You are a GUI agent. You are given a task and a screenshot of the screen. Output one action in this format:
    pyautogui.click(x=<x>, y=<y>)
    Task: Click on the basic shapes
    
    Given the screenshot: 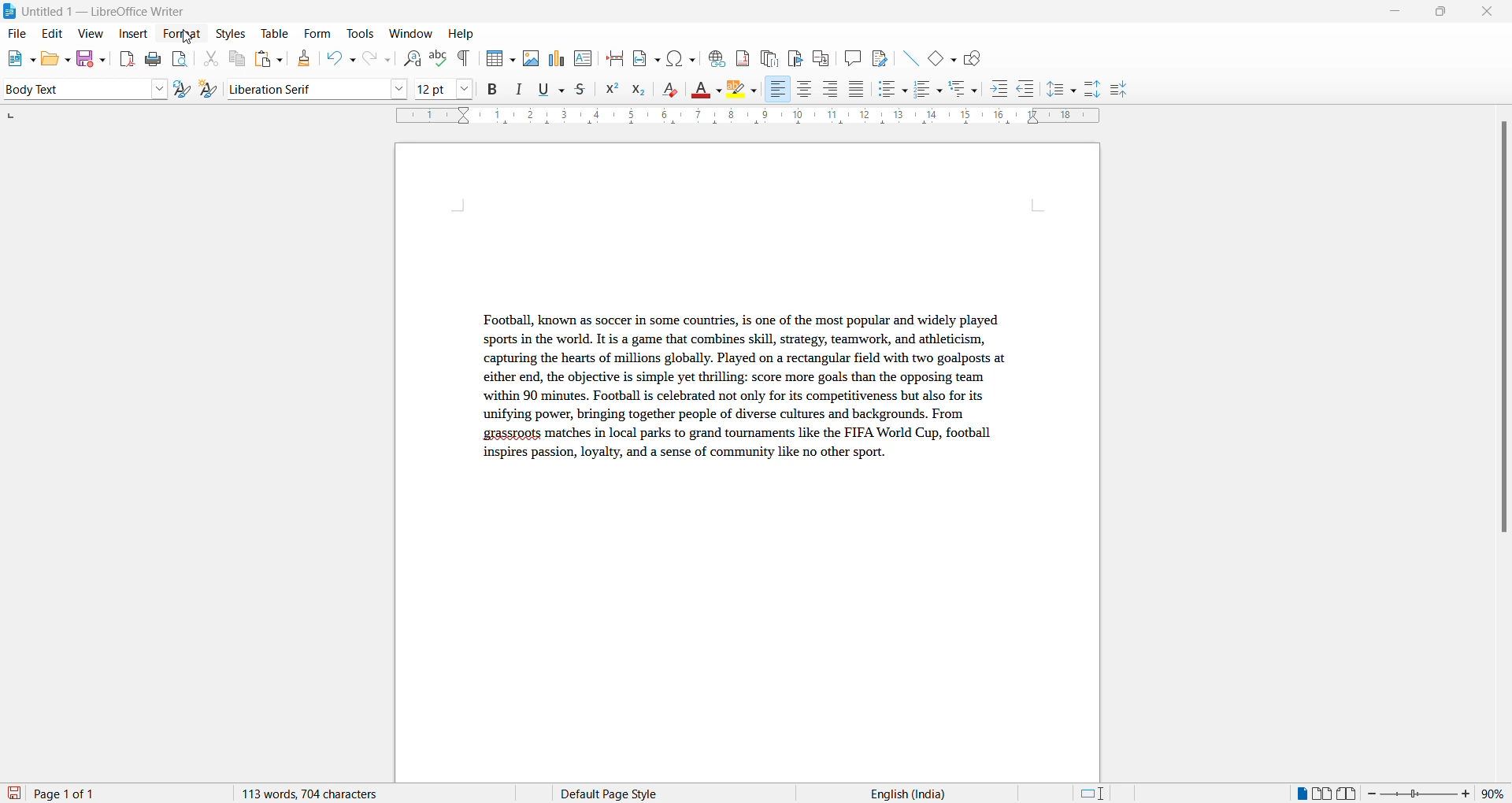 What is the action you would take?
    pyautogui.click(x=938, y=56)
    